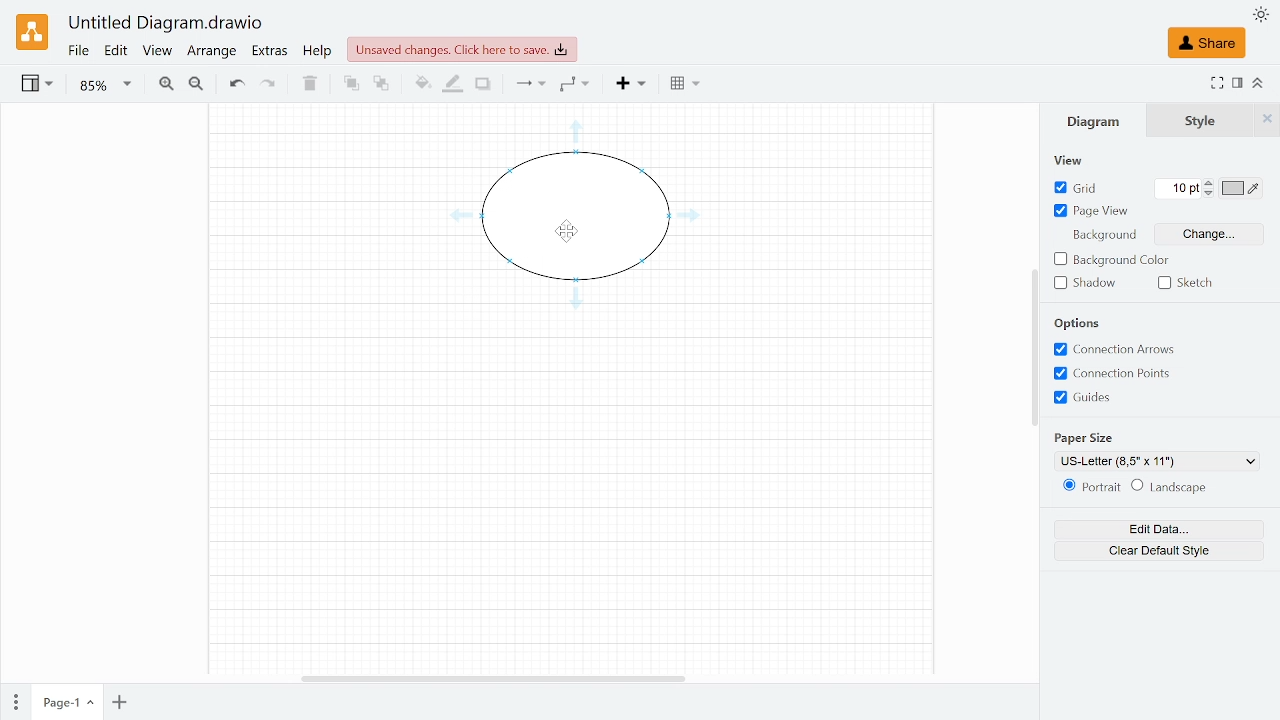  Describe the element at coordinates (1091, 124) in the screenshot. I see `Diagram` at that location.